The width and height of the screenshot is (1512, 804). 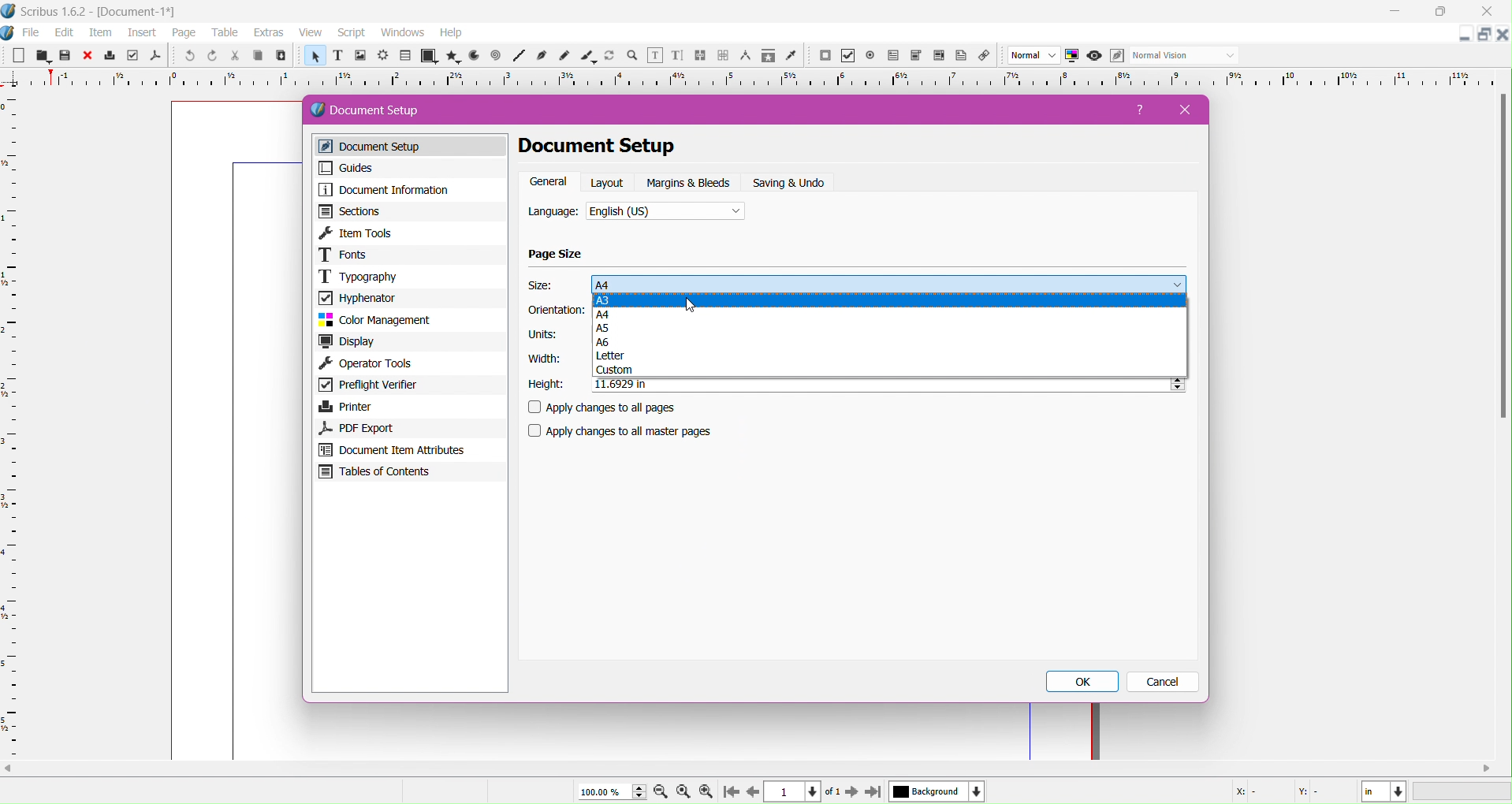 What do you see at coordinates (609, 408) in the screenshot?
I see `Apply changes to all pages - enable/disable` at bounding box center [609, 408].